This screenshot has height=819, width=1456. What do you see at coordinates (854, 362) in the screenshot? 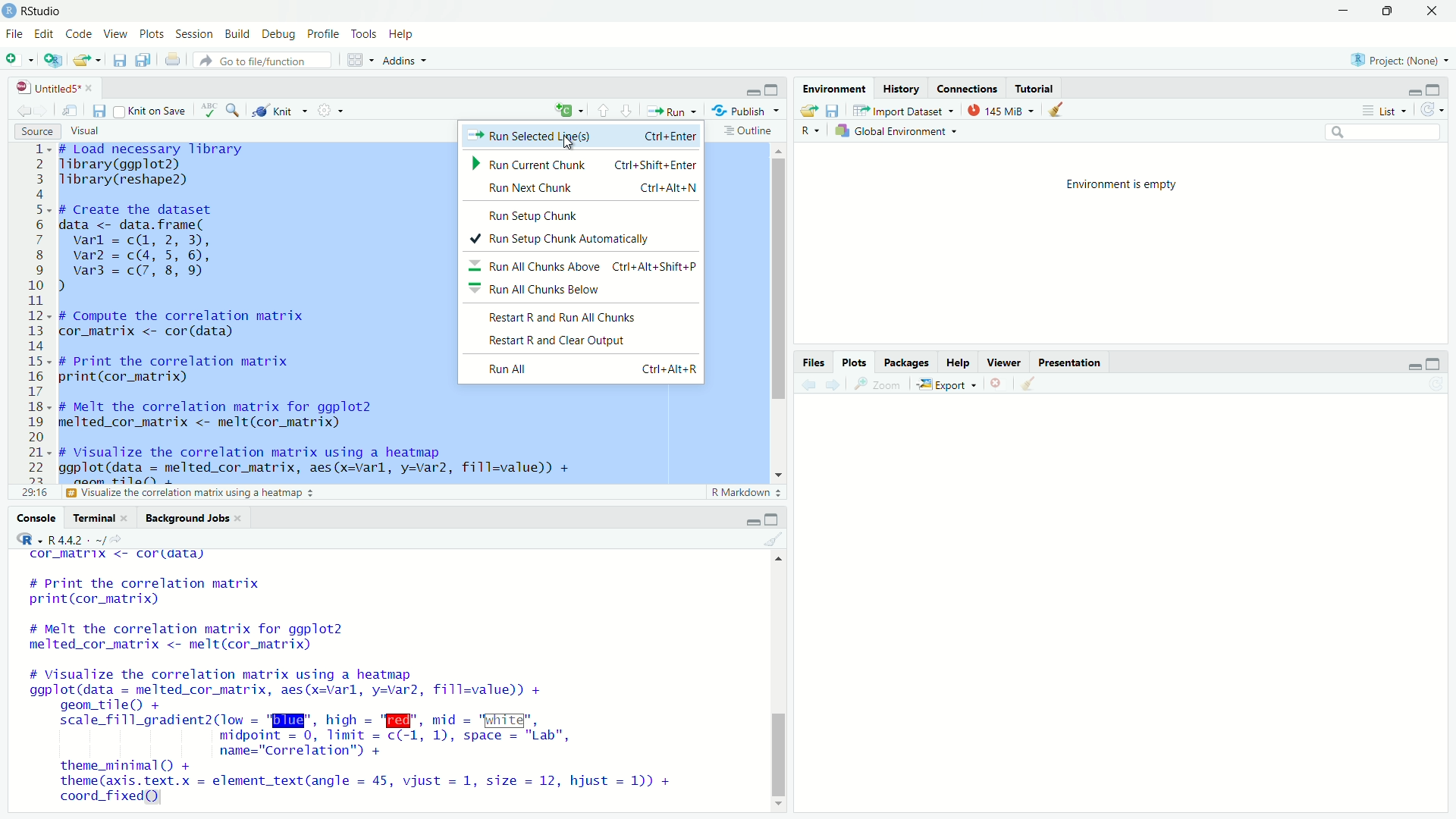
I see `plots` at bounding box center [854, 362].